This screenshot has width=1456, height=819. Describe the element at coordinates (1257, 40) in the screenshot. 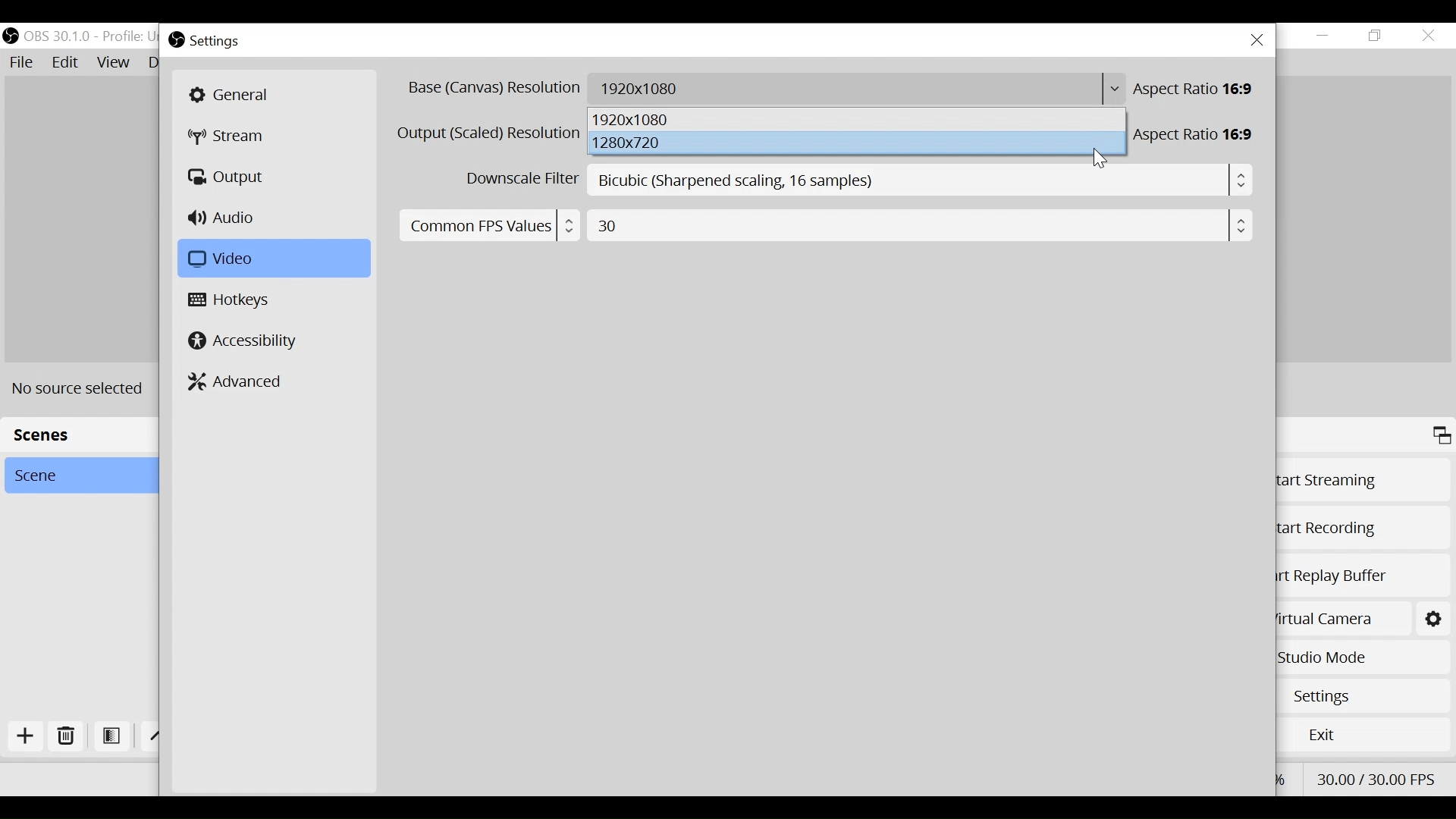

I see `Close` at that location.